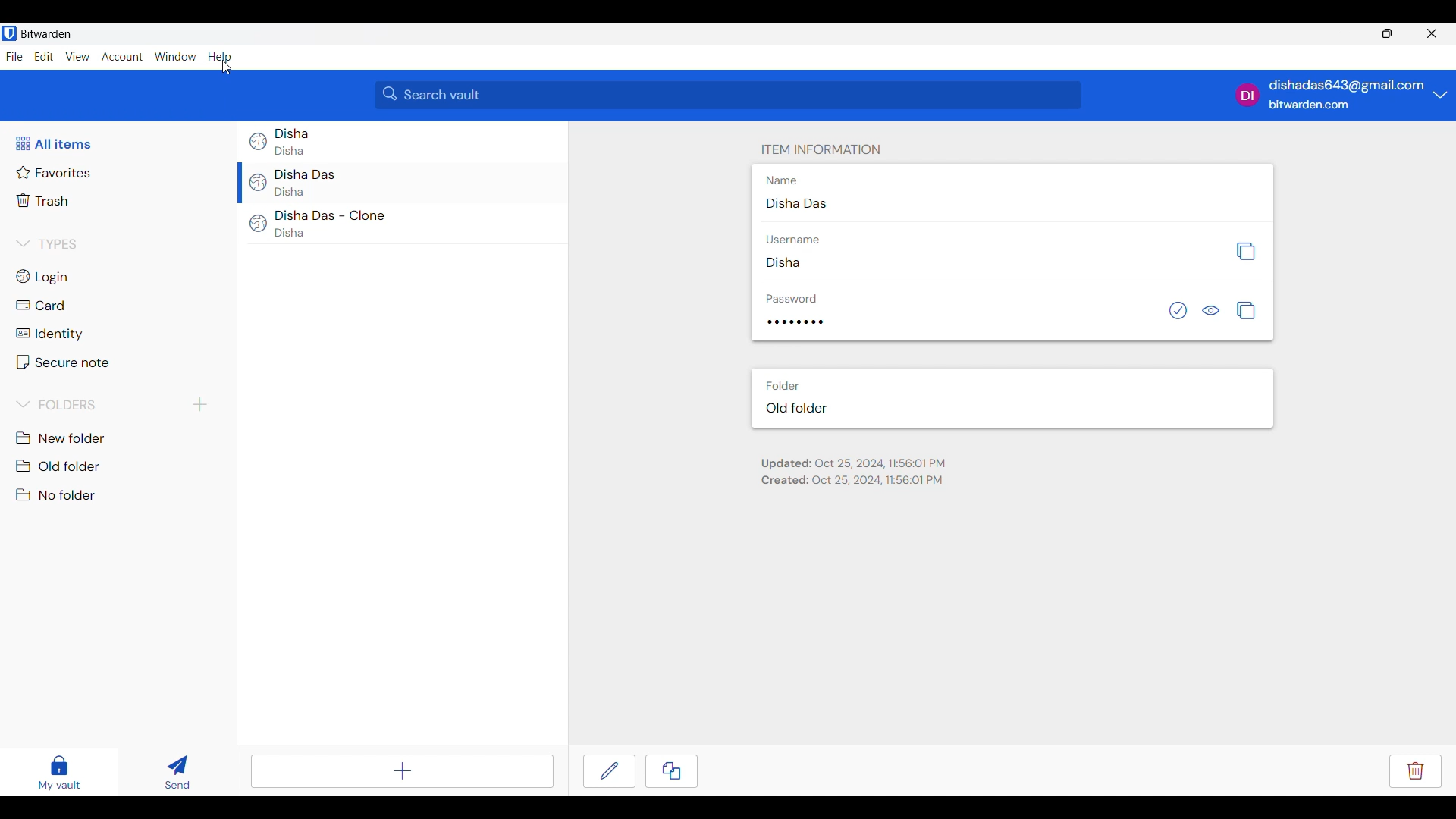  I want to click on My vault, so click(59, 773).